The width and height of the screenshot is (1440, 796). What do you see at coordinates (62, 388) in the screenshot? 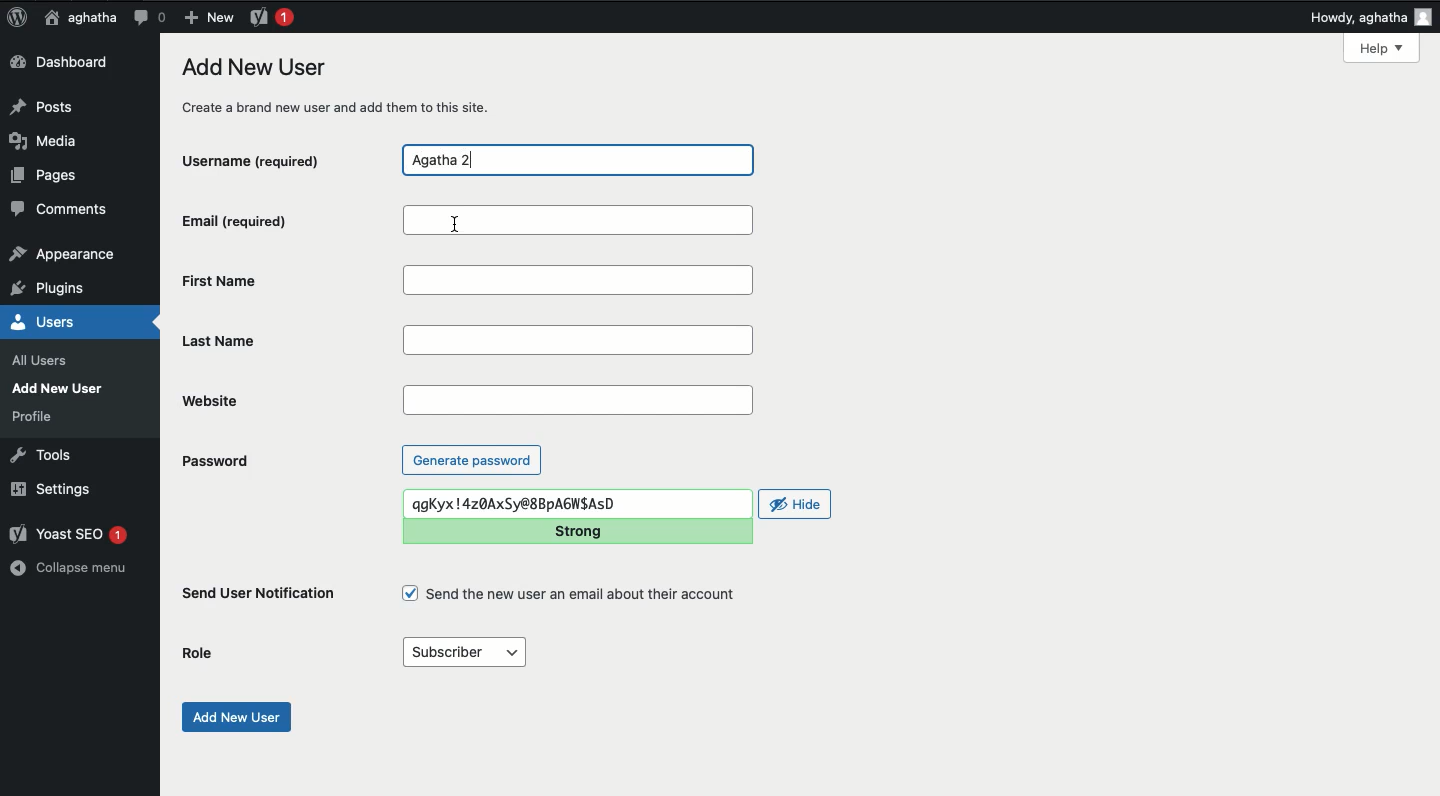
I see `Add New User` at bounding box center [62, 388].